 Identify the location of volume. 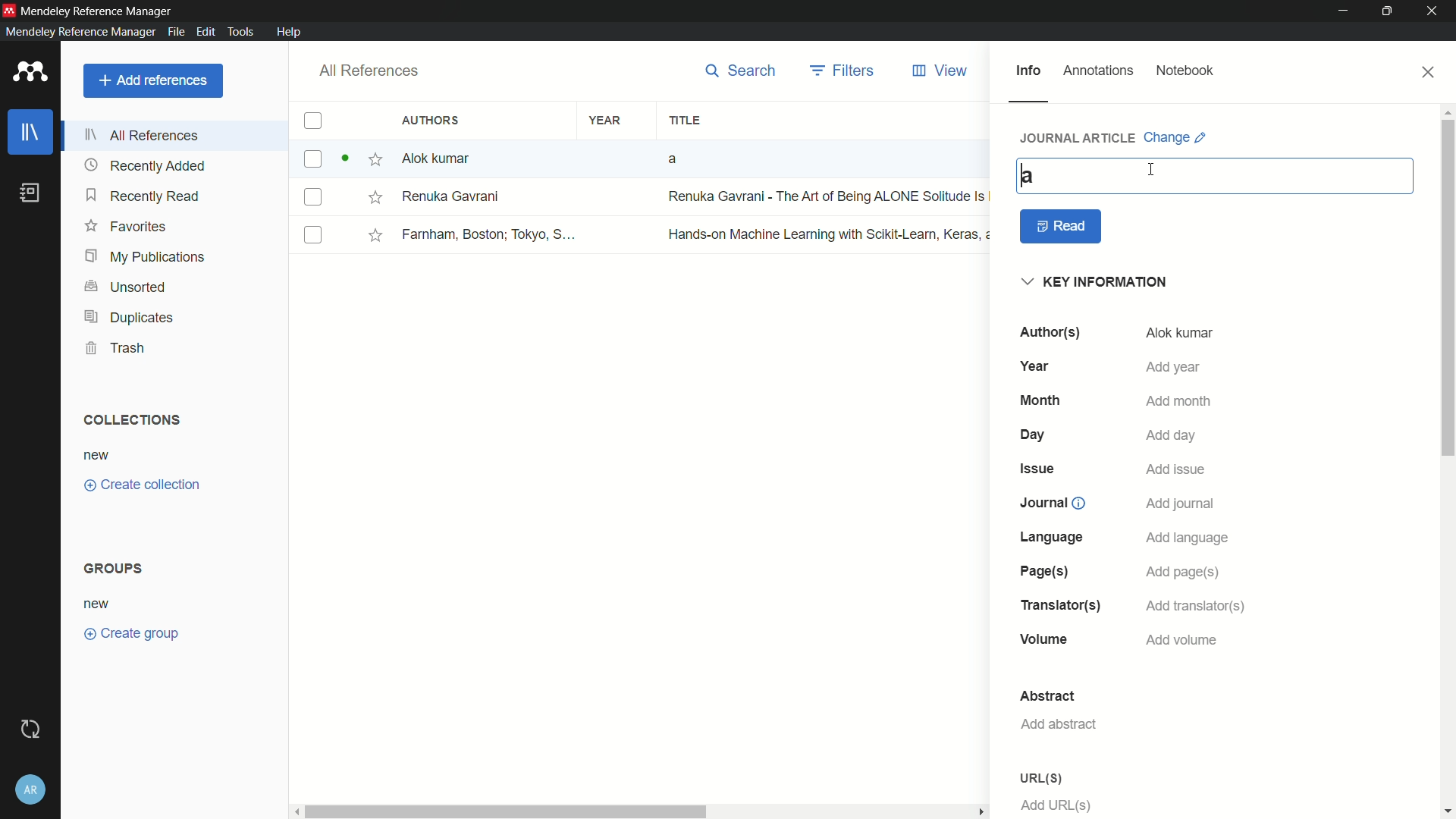
(1045, 641).